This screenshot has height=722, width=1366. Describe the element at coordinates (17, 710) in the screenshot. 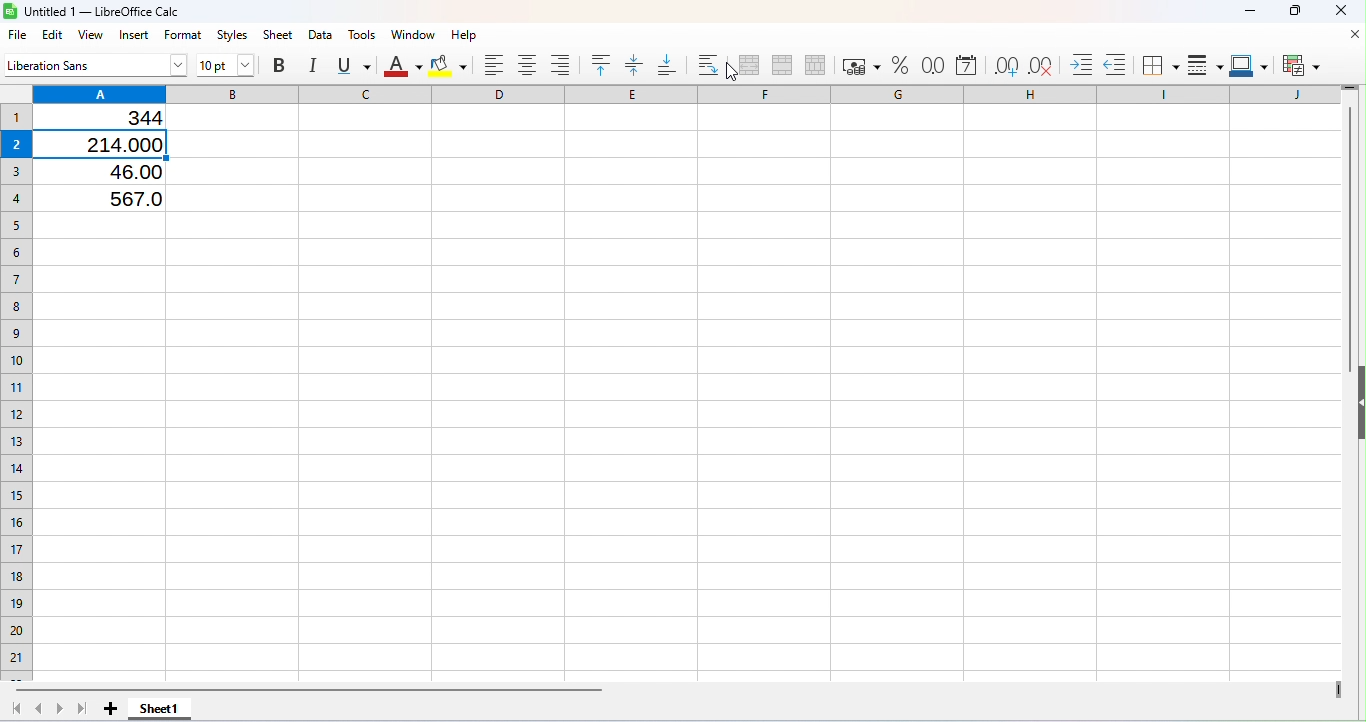

I see `Scroll to the first` at that location.